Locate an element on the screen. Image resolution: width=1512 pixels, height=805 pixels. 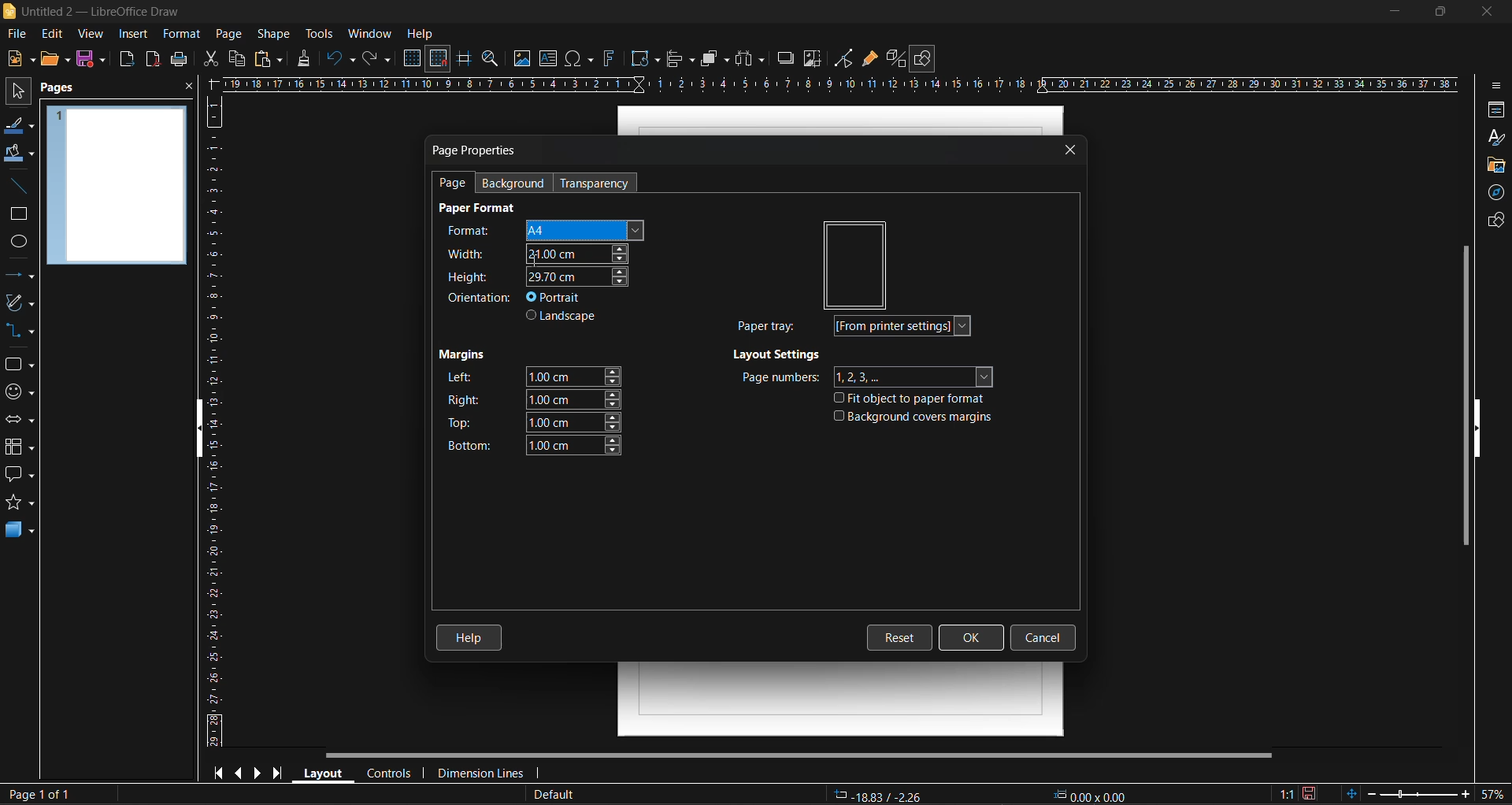
3d objects is located at coordinates (20, 532).